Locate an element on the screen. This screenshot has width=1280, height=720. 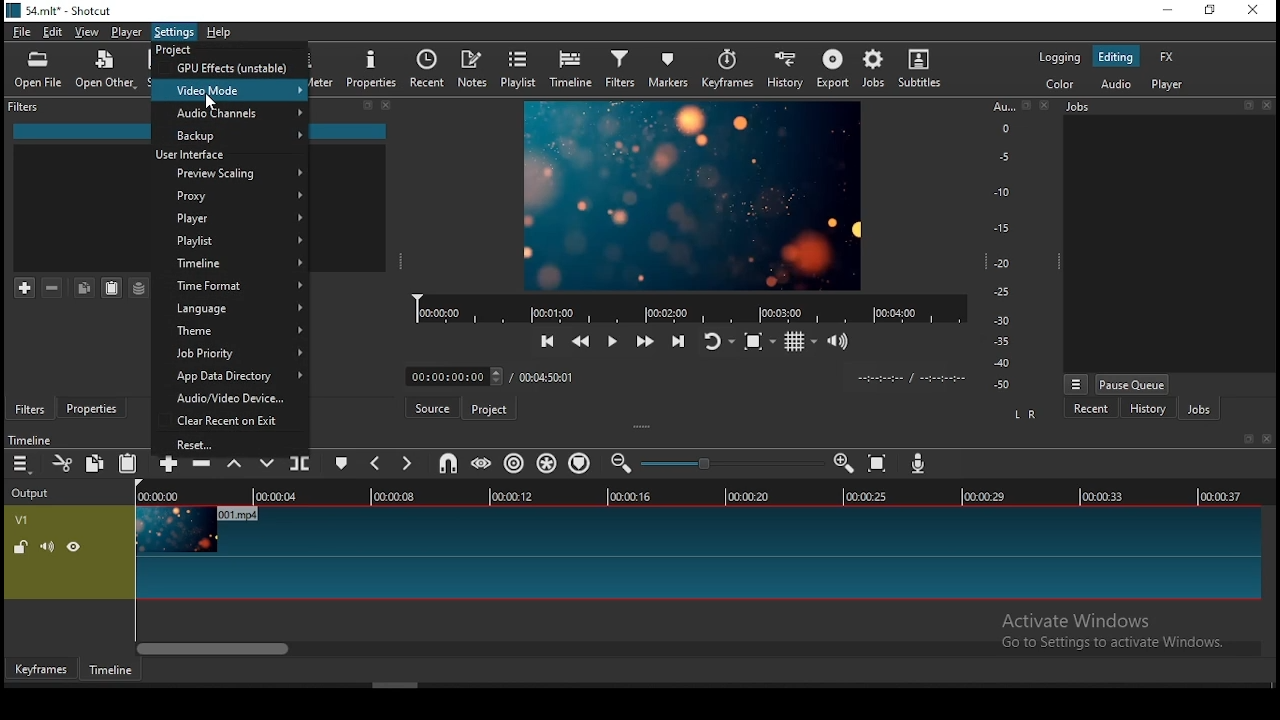
markers is located at coordinates (668, 68).